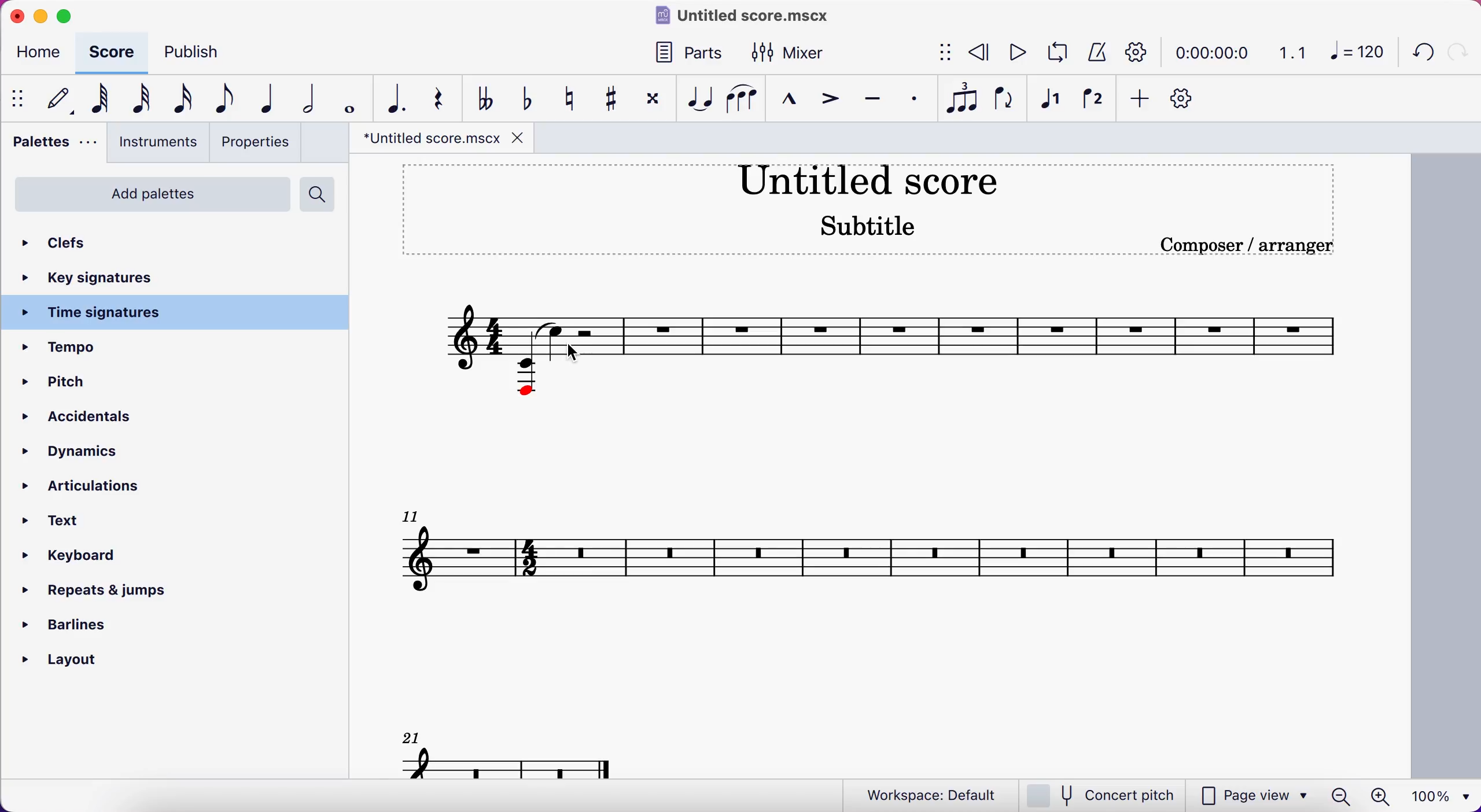 Image resolution: width=1481 pixels, height=812 pixels. What do you see at coordinates (1194, 102) in the screenshot?
I see `customization toolbar` at bounding box center [1194, 102].